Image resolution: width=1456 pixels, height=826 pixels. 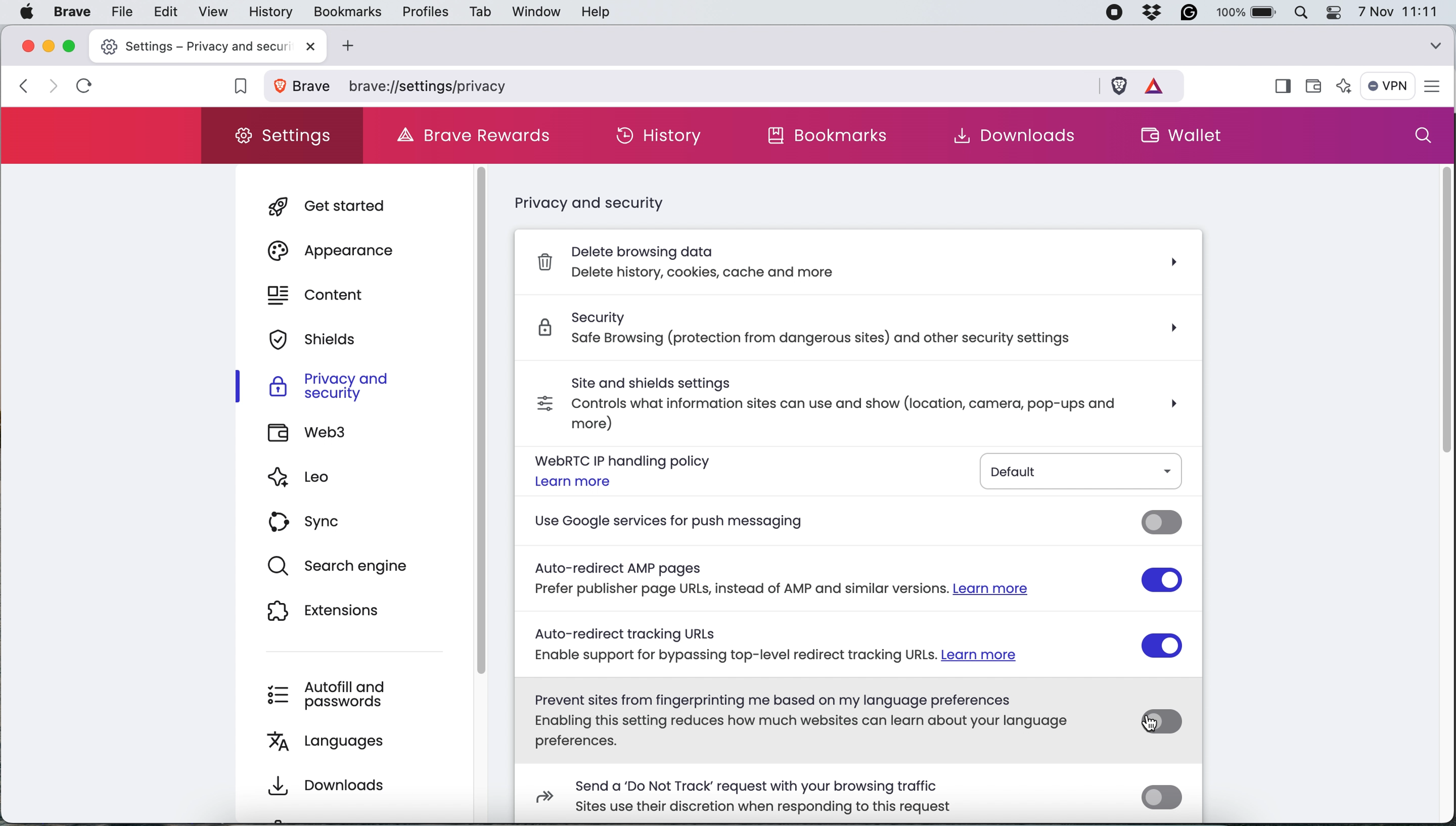 What do you see at coordinates (735, 795) in the screenshot?
I see `send a do not track request with your browsing traffic sites use their discretion when responding to this reauest` at bounding box center [735, 795].